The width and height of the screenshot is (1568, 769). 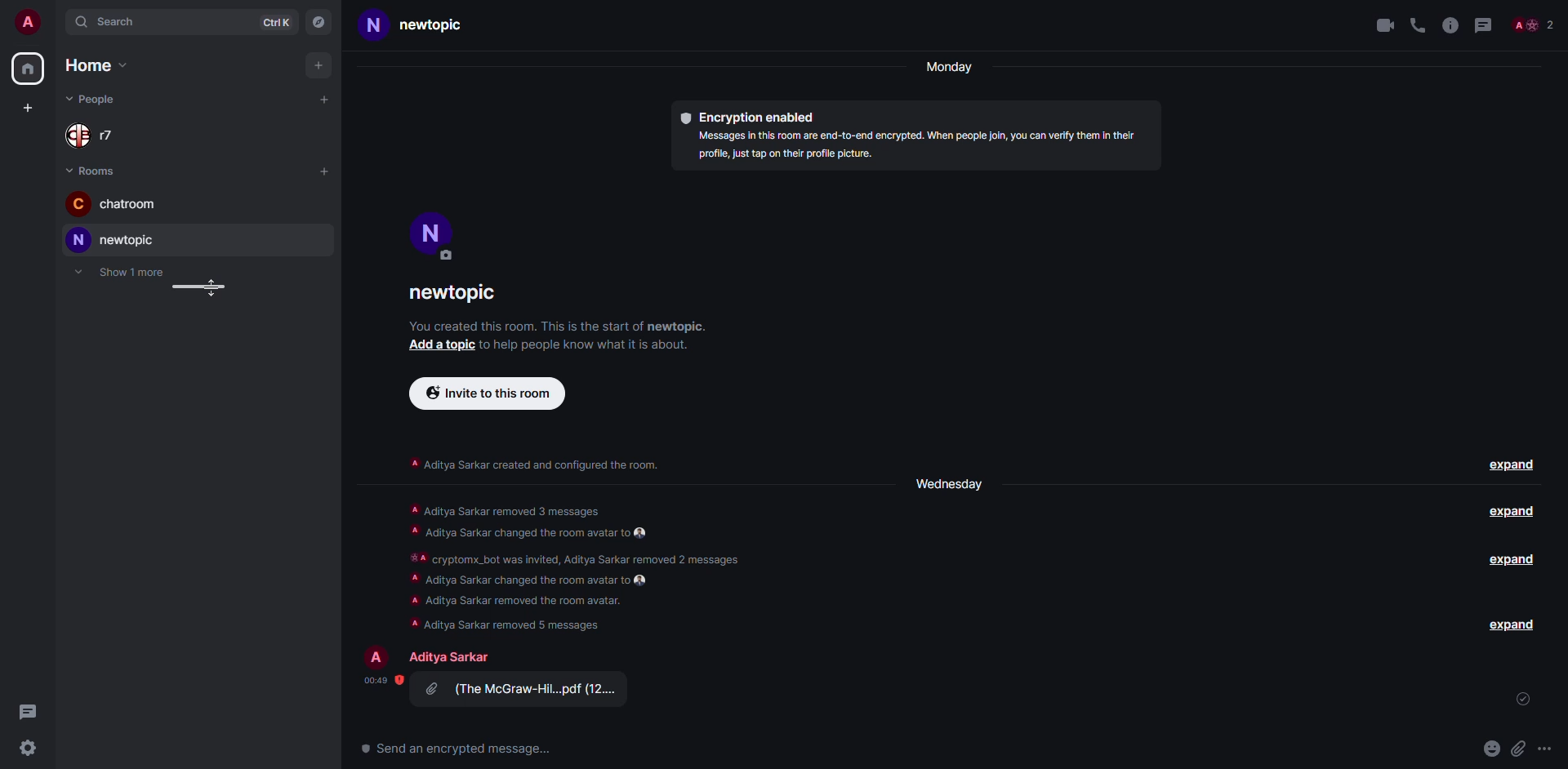 What do you see at coordinates (25, 709) in the screenshot?
I see `threads` at bounding box center [25, 709].